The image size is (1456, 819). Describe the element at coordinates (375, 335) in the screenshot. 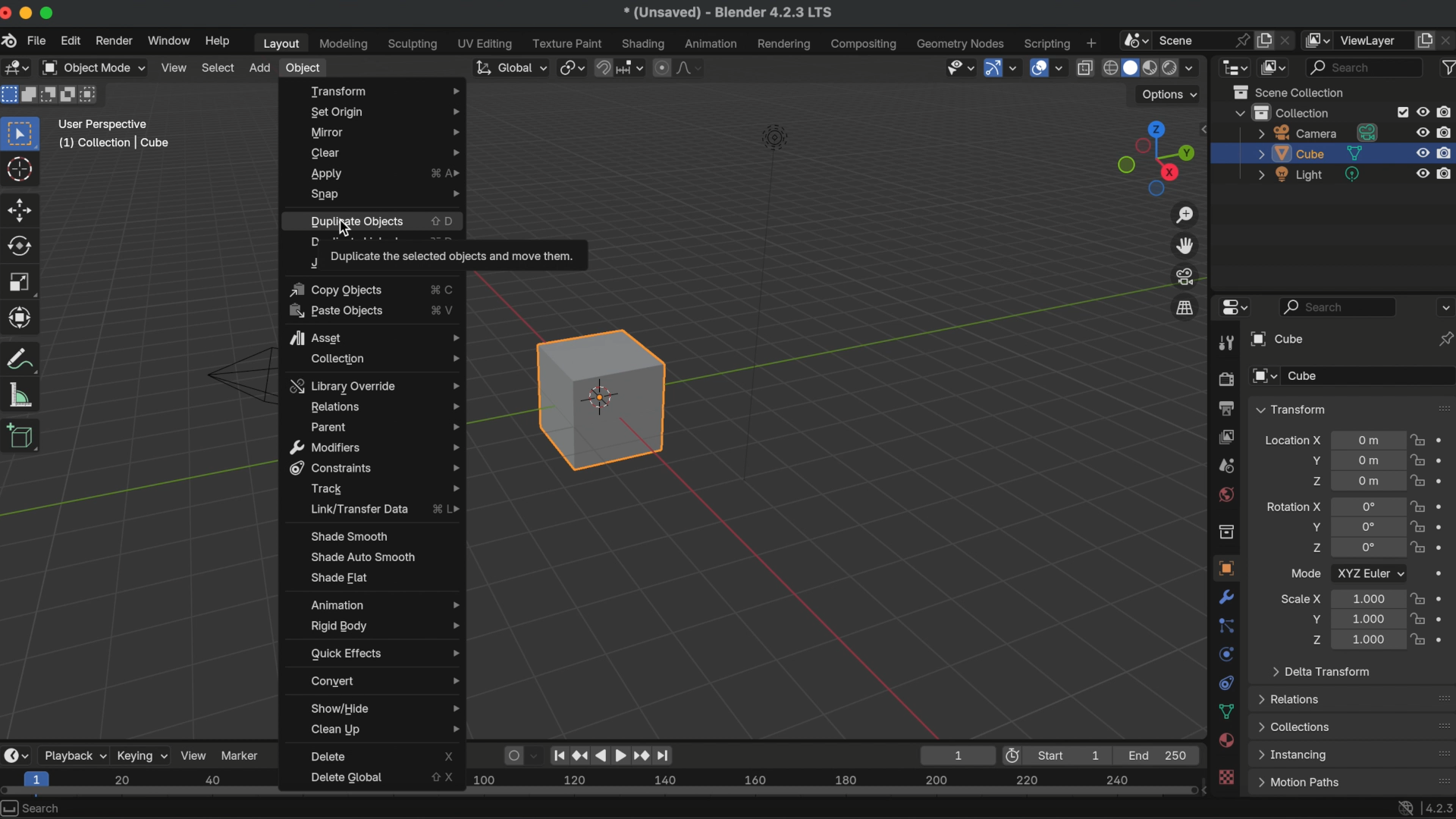

I see `assist` at that location.